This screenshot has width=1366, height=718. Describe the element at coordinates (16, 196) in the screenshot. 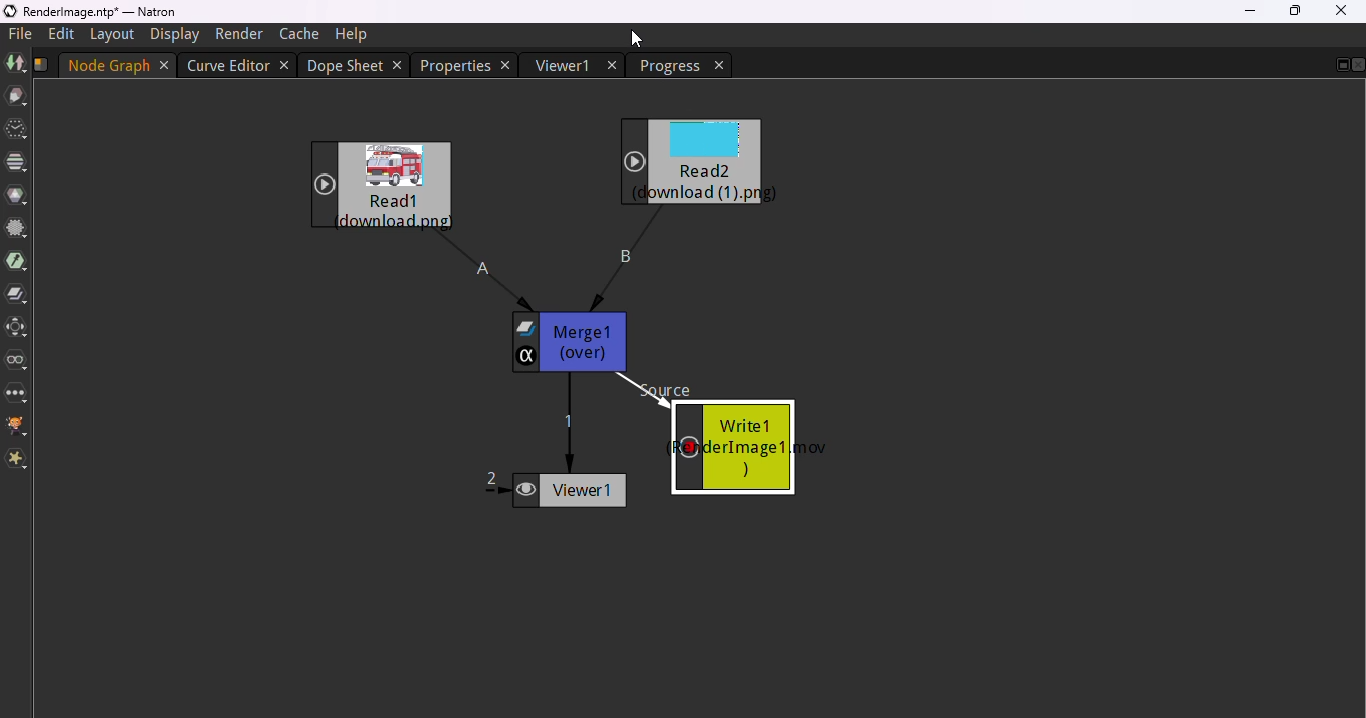

I see `color` at that location.